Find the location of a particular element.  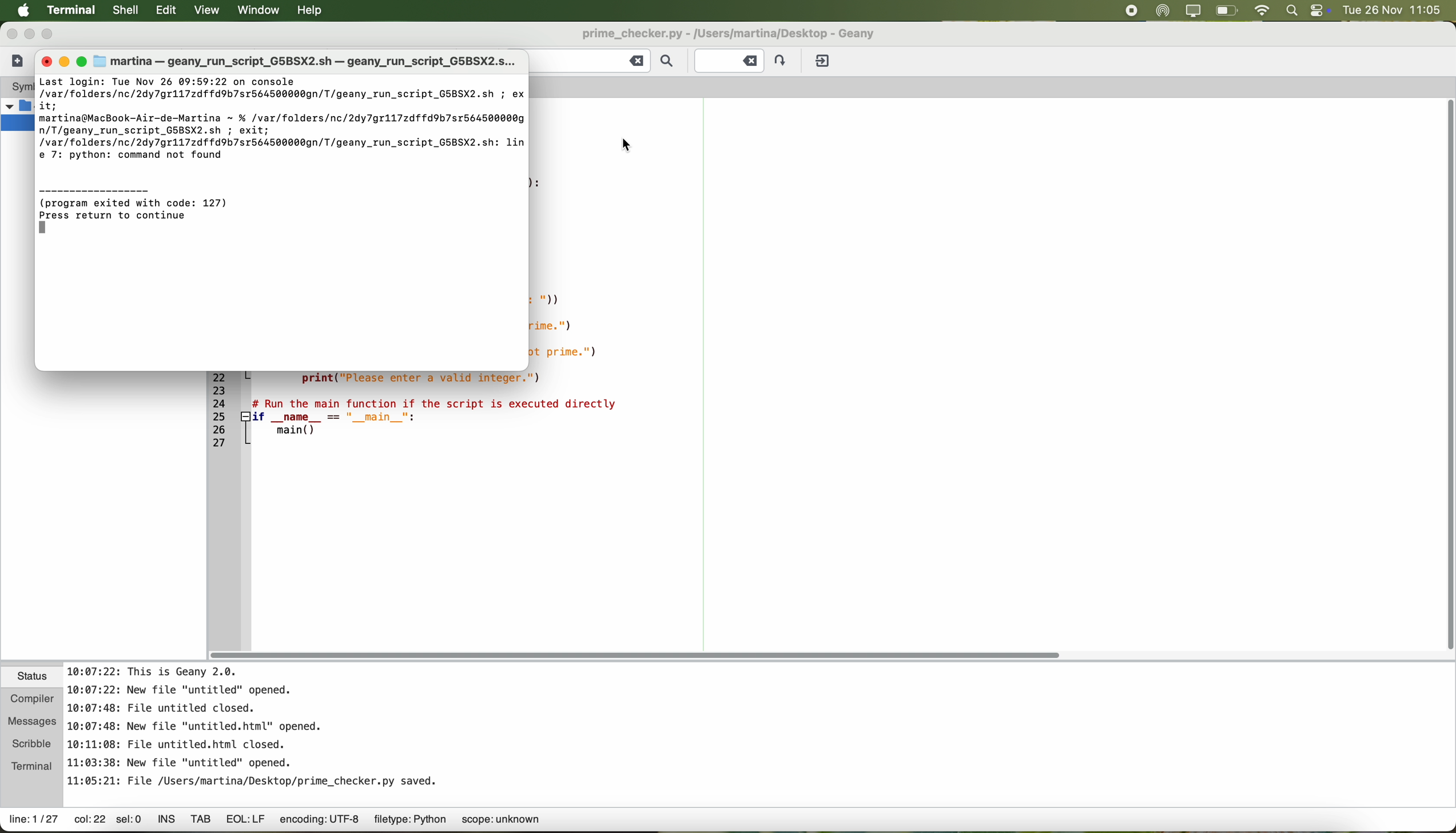

minimize Geany is located at coordinates (30, 33).